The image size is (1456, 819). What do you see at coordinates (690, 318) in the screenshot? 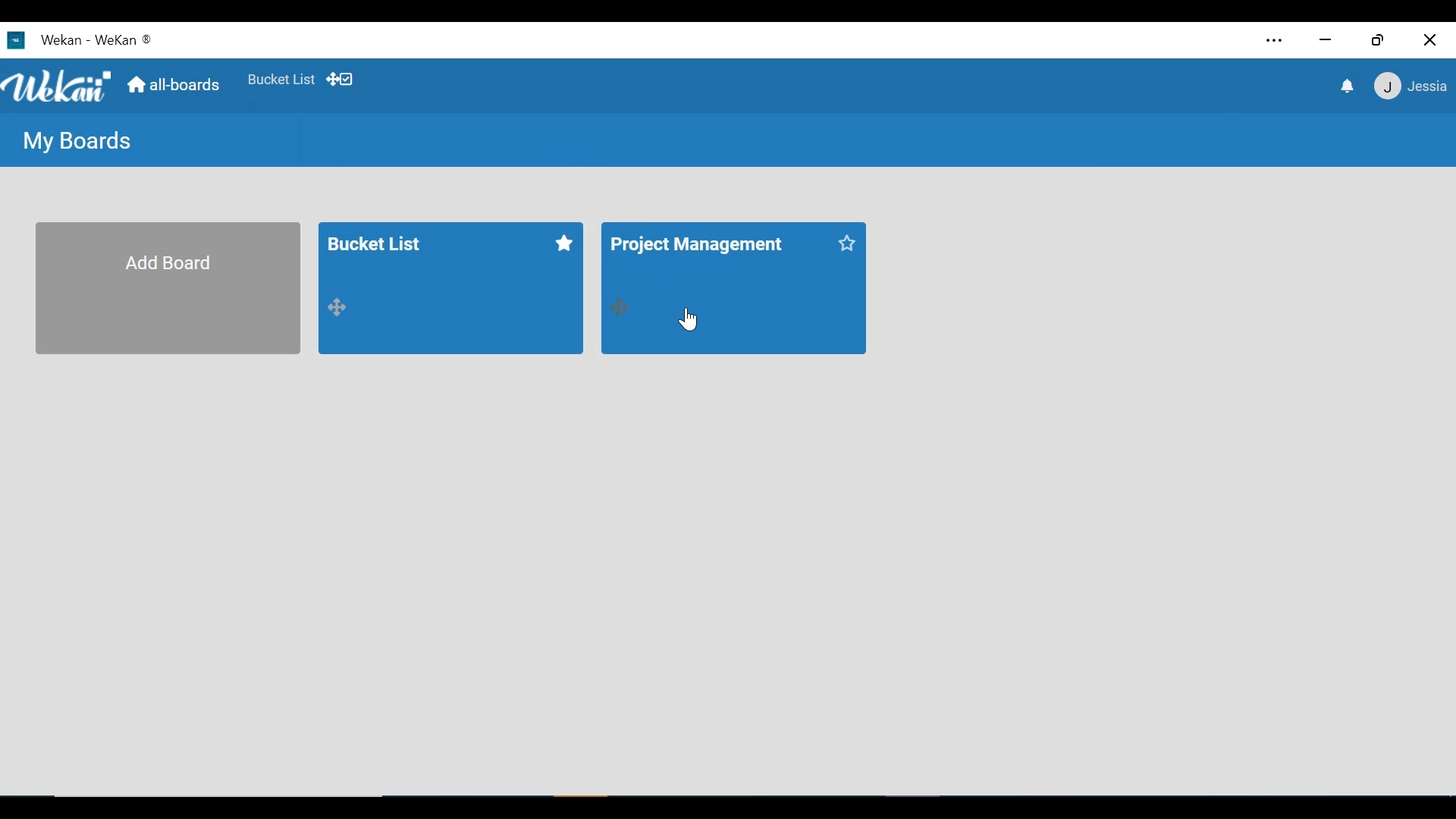
I see `Cursor` at bounding box center [690, 318].